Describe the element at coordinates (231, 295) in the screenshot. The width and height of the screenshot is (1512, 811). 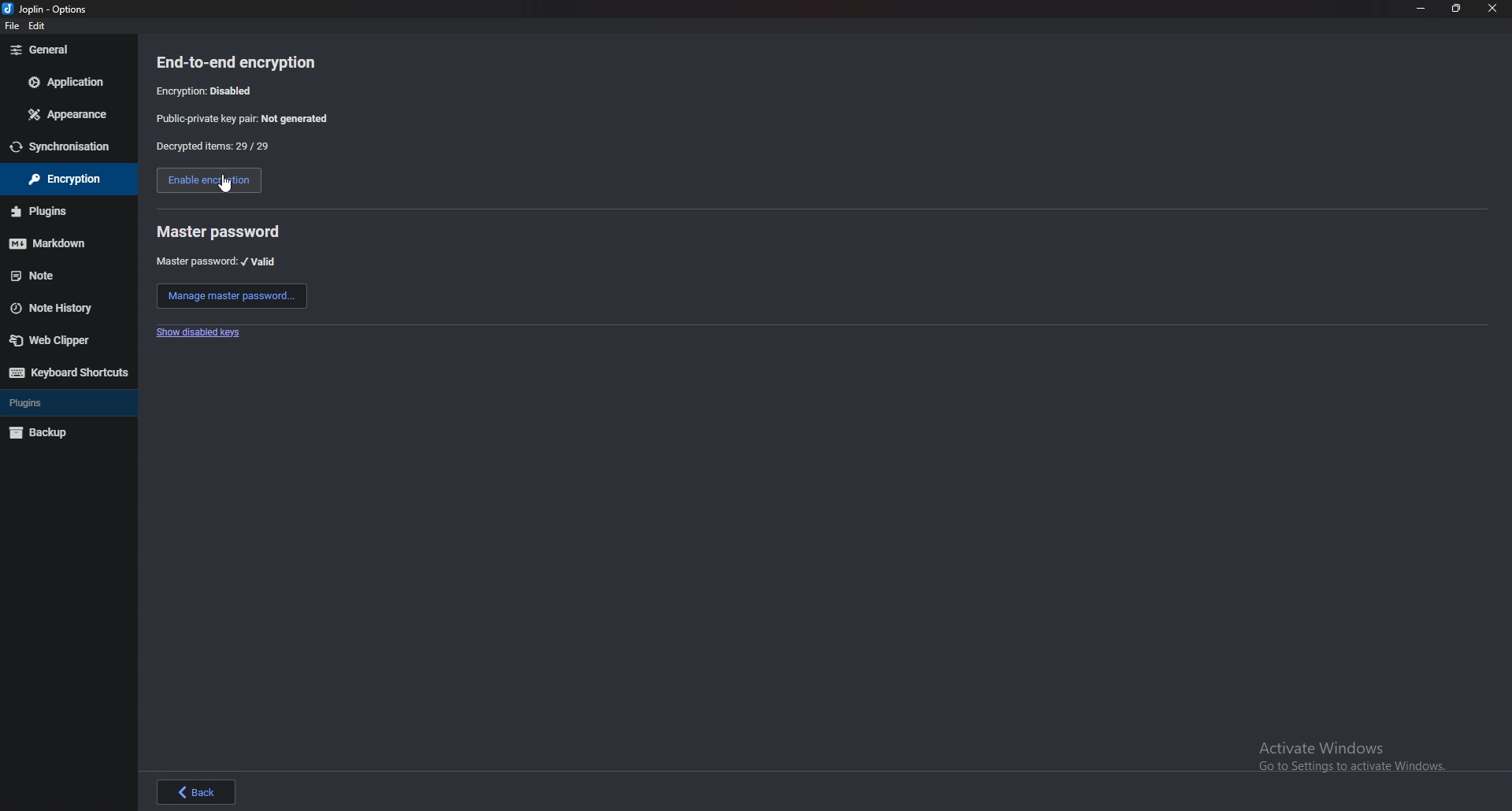
I see `manage master password` at that location.